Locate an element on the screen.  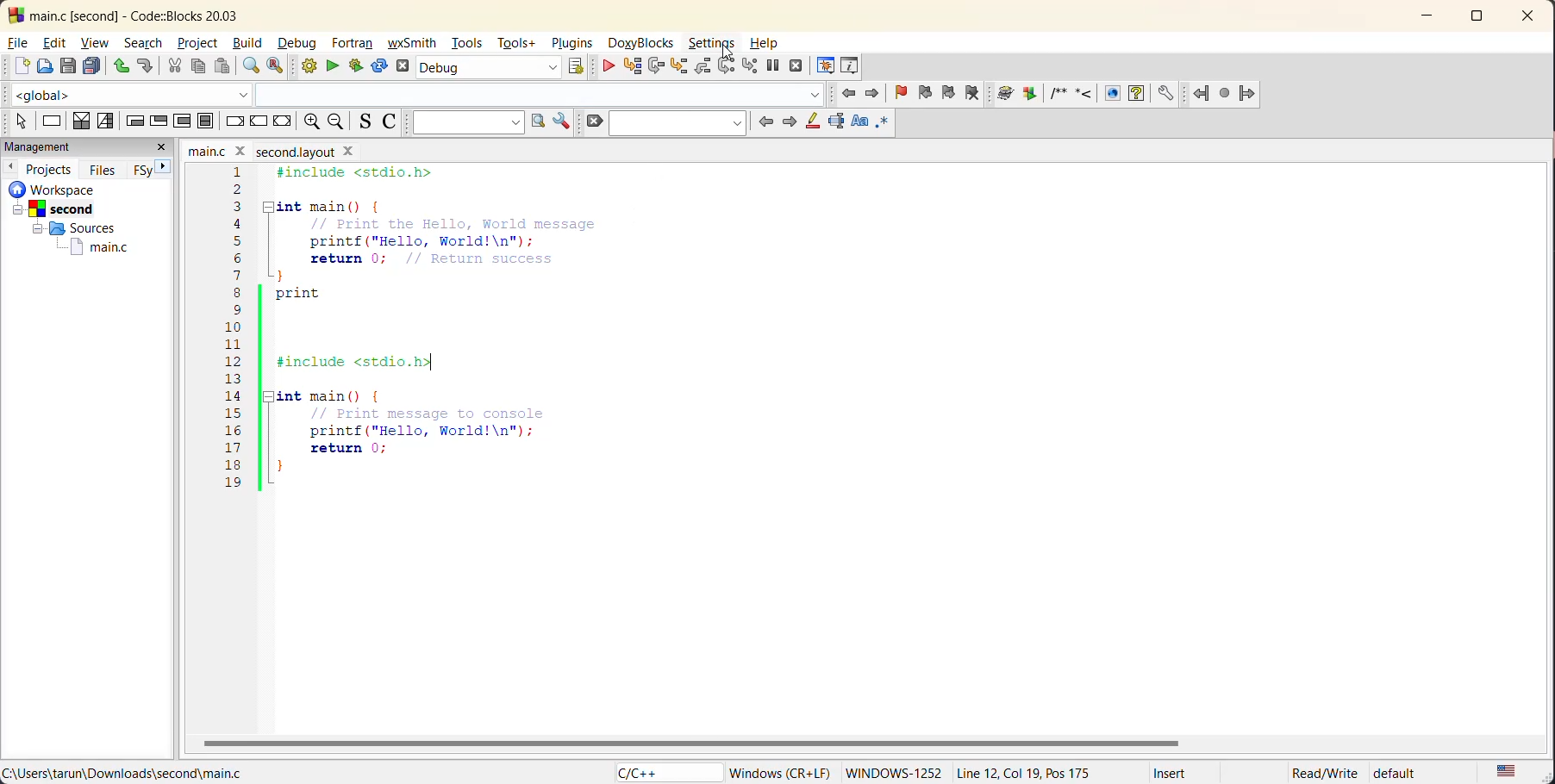
instruction is located at coordinates (51, 120).